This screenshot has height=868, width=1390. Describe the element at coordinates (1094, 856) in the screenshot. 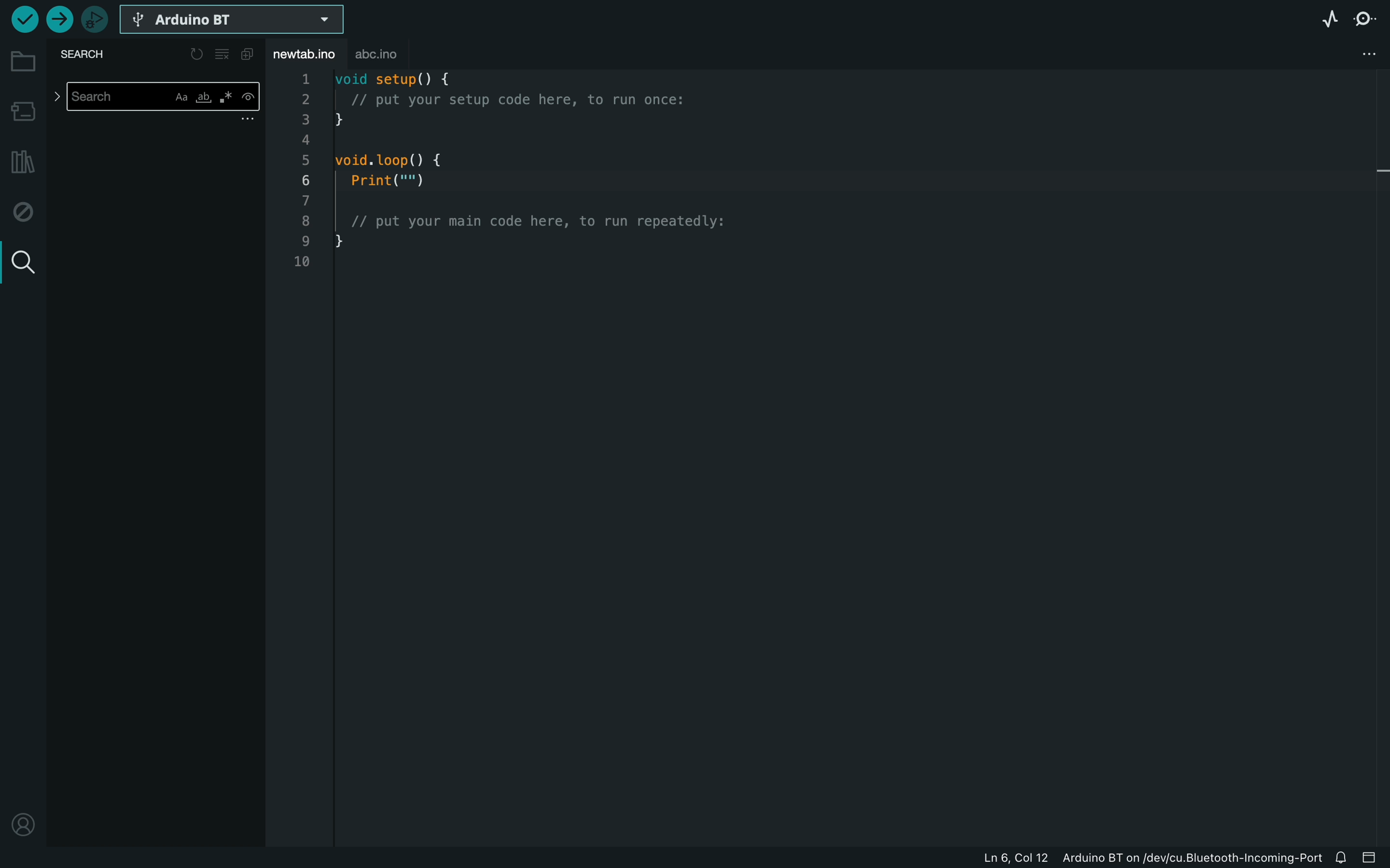

I see `file information` at that location.